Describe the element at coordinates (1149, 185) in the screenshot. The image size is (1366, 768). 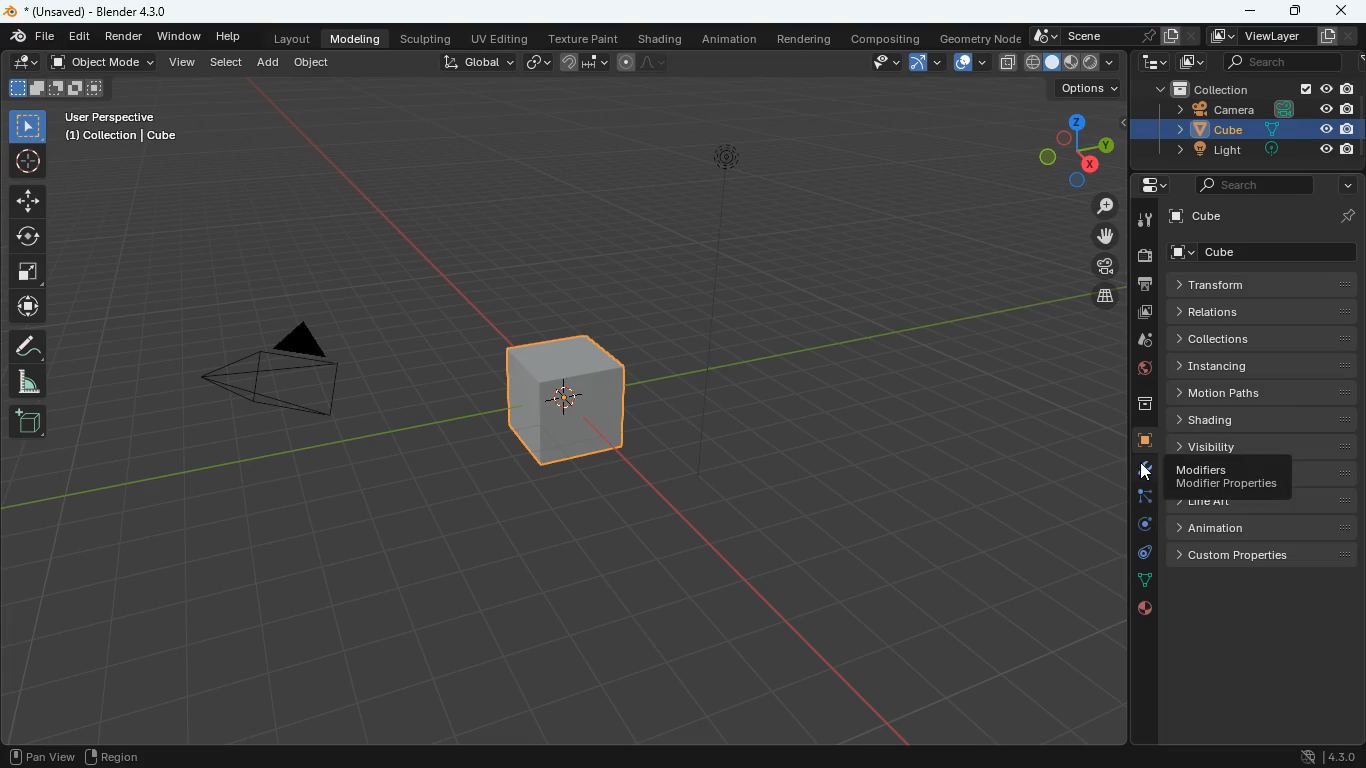
I see `settings` at that location.